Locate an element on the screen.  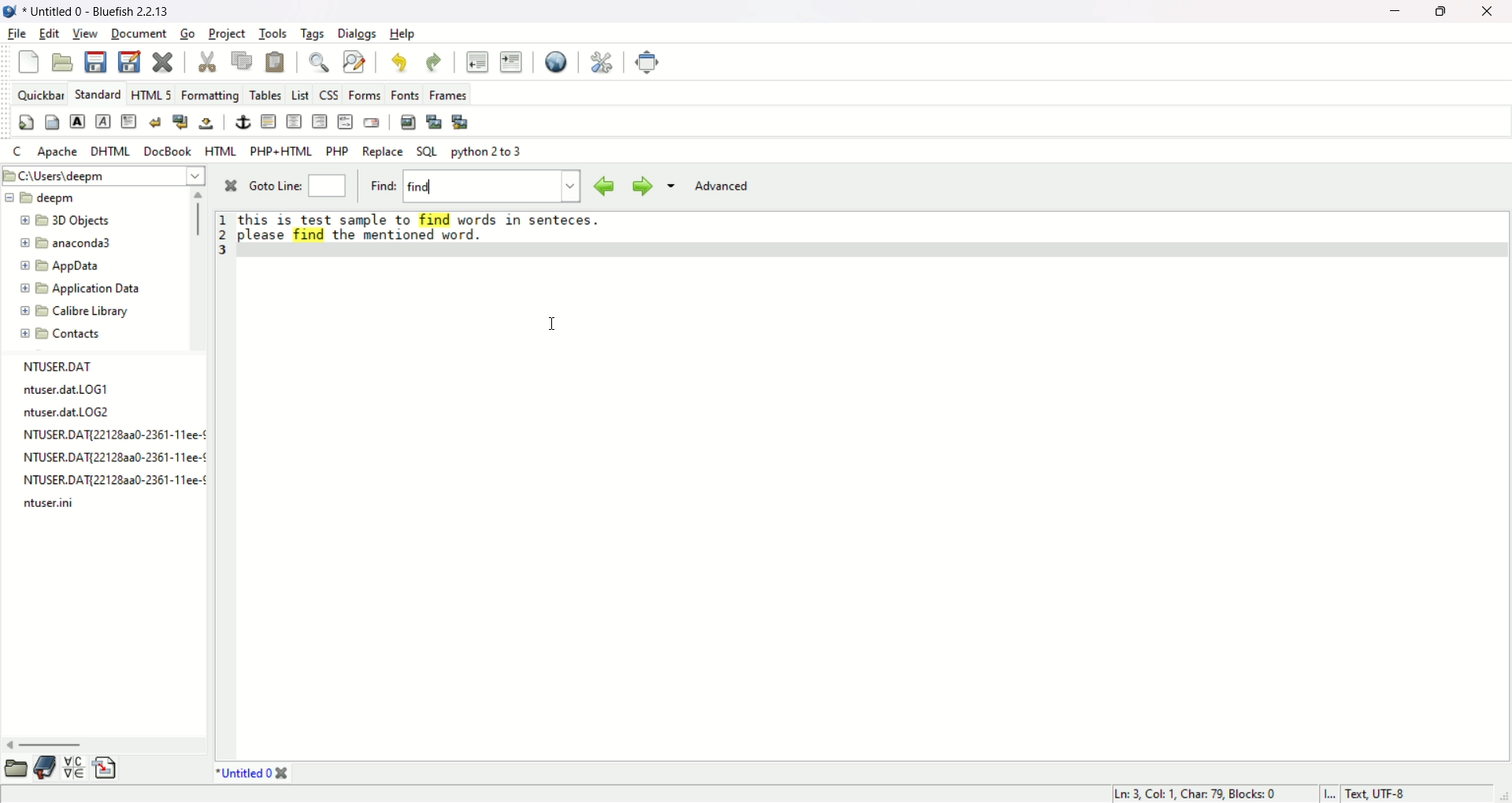
help is located at coordinates (403, 34).